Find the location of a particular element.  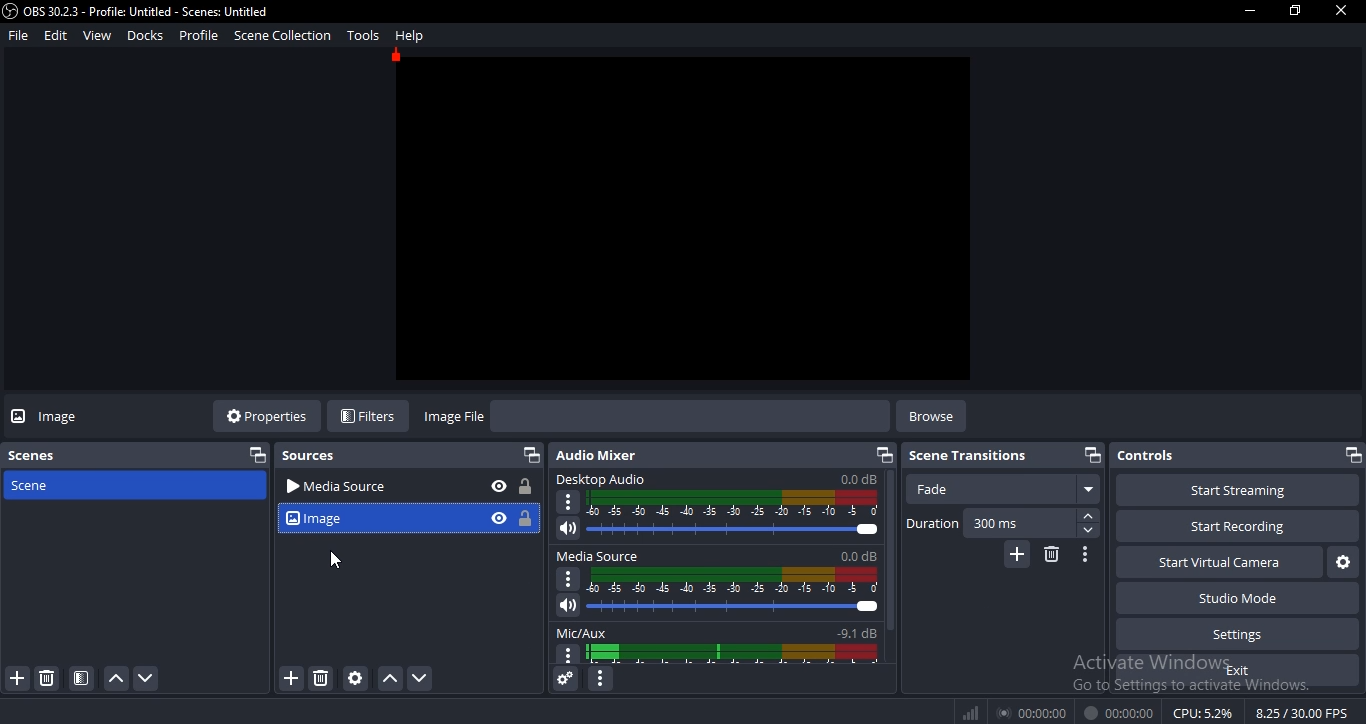

options is located at coordinates (566, 580).